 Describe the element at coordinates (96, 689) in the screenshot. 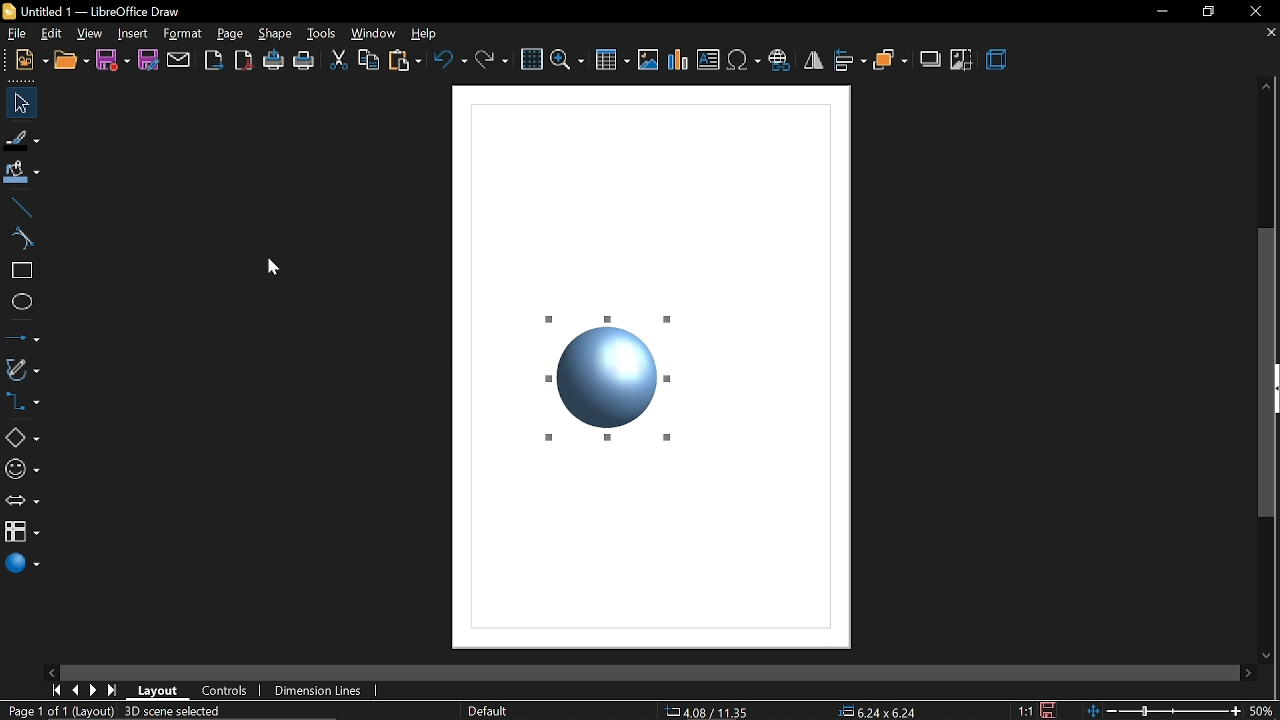

I see `next page ` at that location.